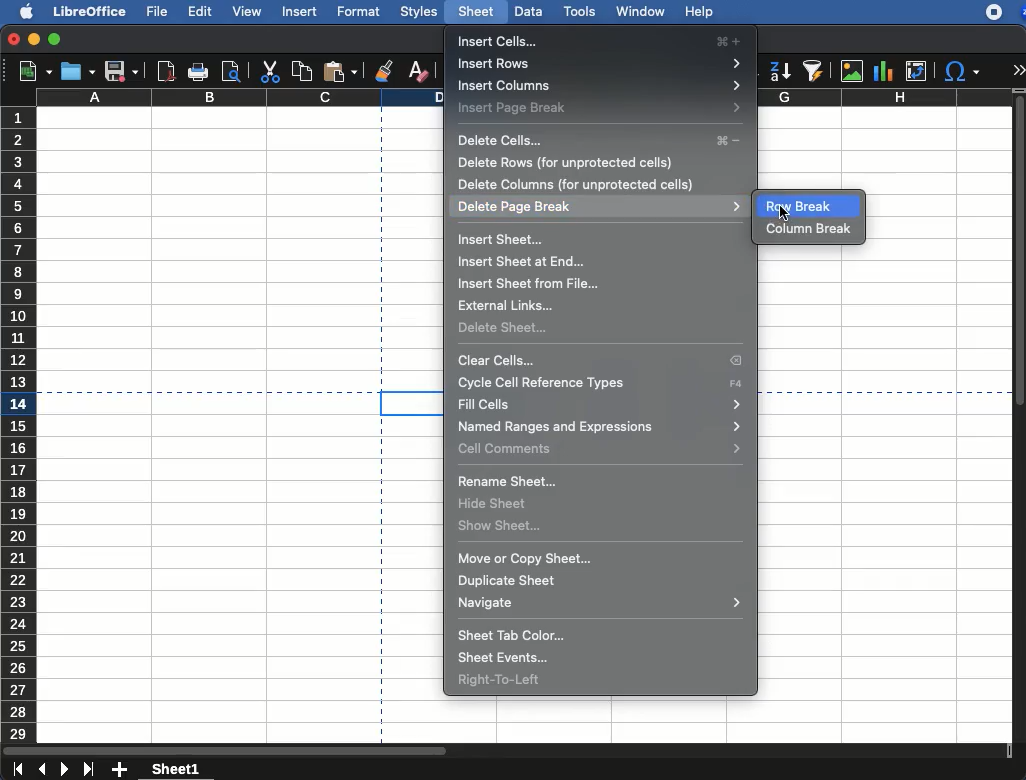  I want to click on cut, so click(269, 73).